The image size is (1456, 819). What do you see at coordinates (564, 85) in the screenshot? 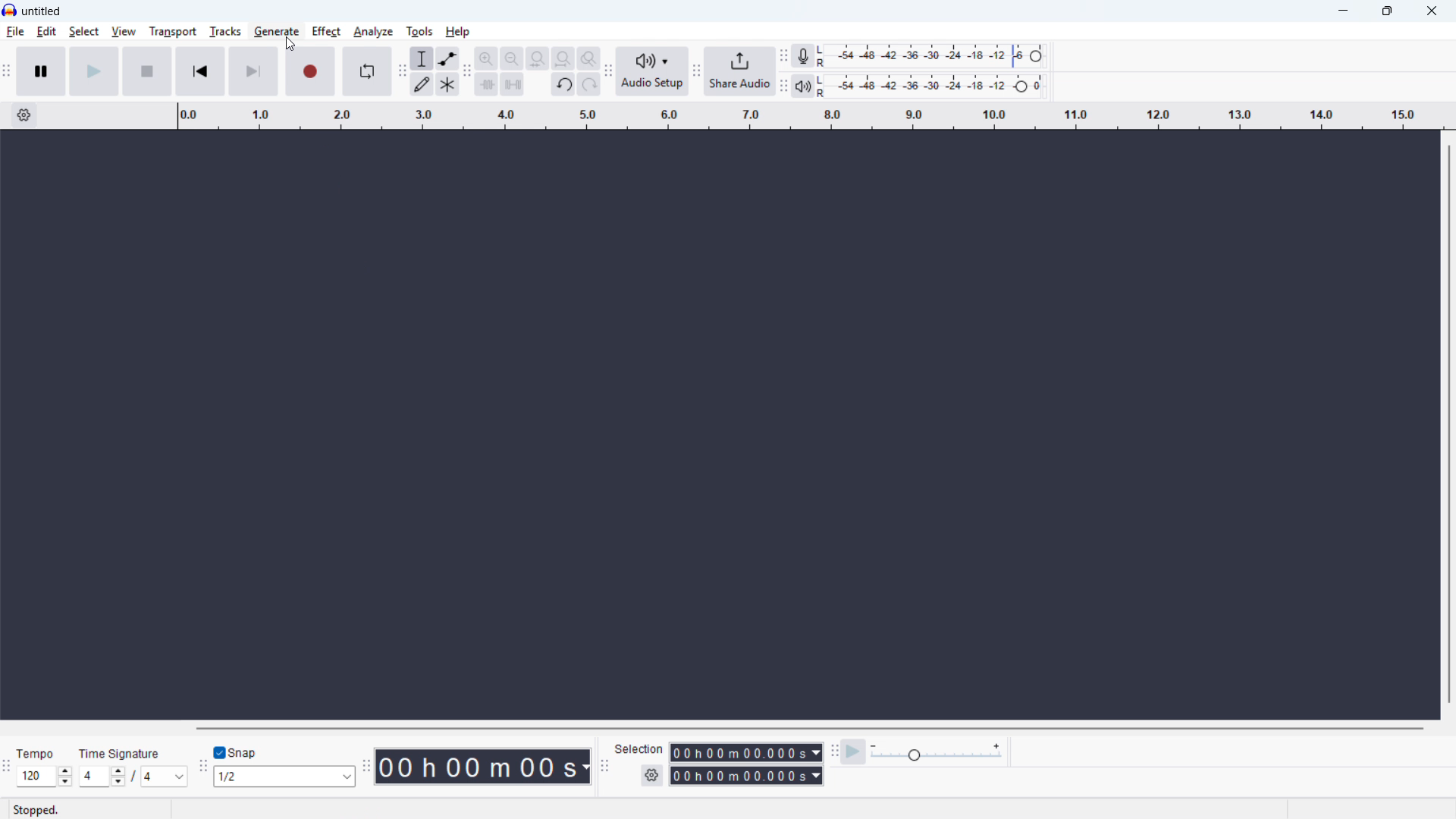
I see `Undo ` at bounding box center [564, 85].